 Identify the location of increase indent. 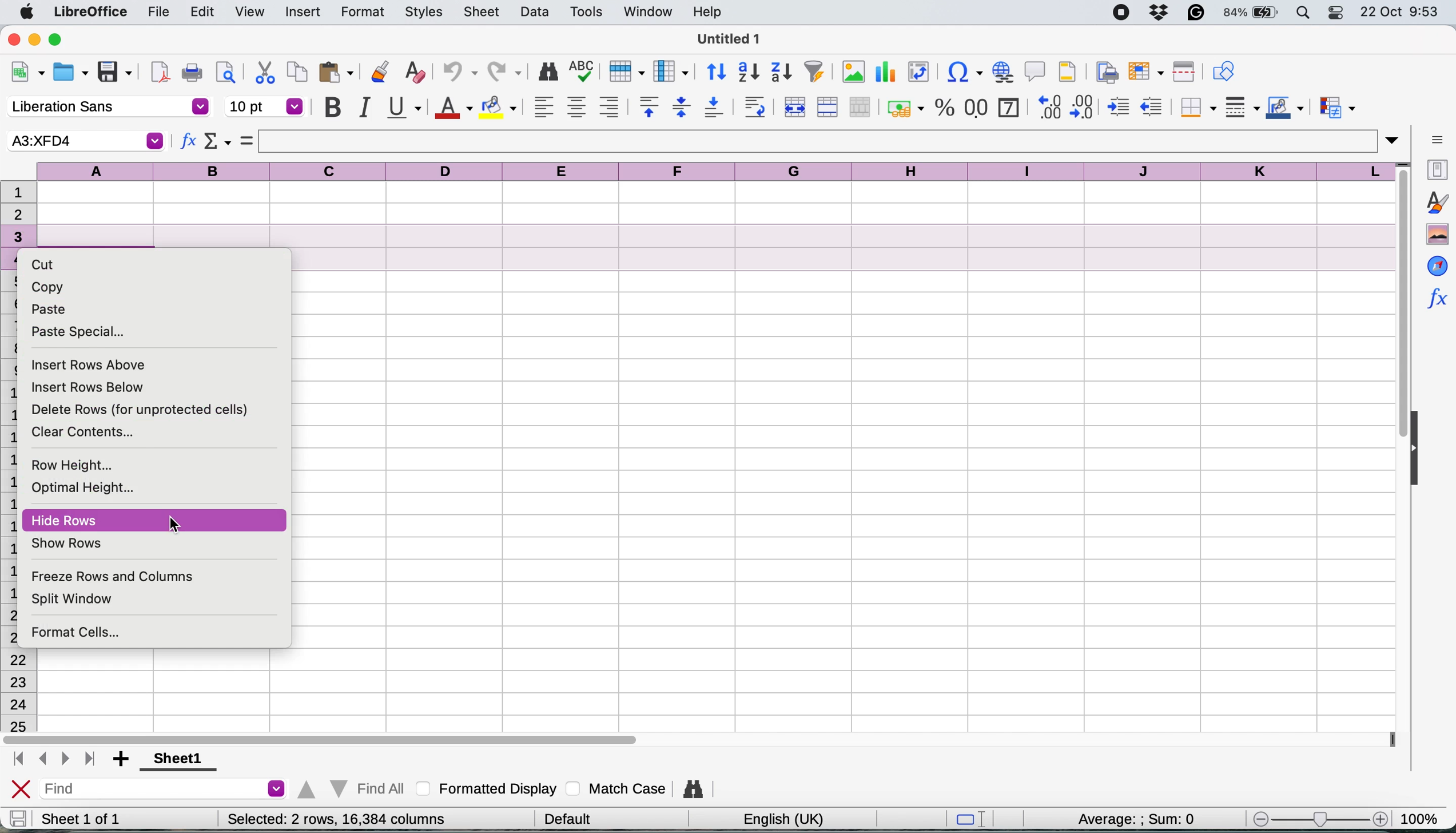
(1120, 107).